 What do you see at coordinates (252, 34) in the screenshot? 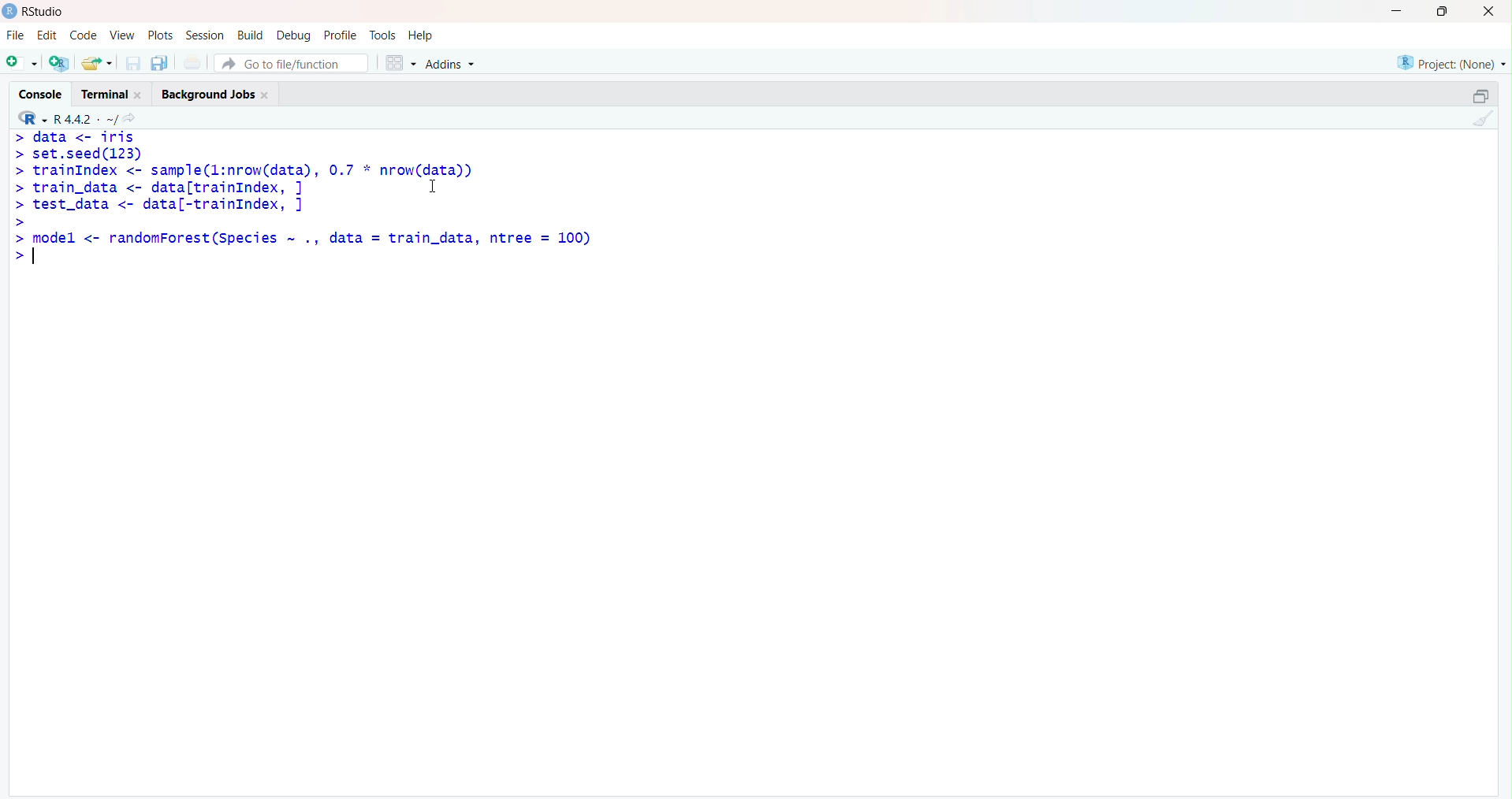
I see `Build` at bounding box center [252, 34].